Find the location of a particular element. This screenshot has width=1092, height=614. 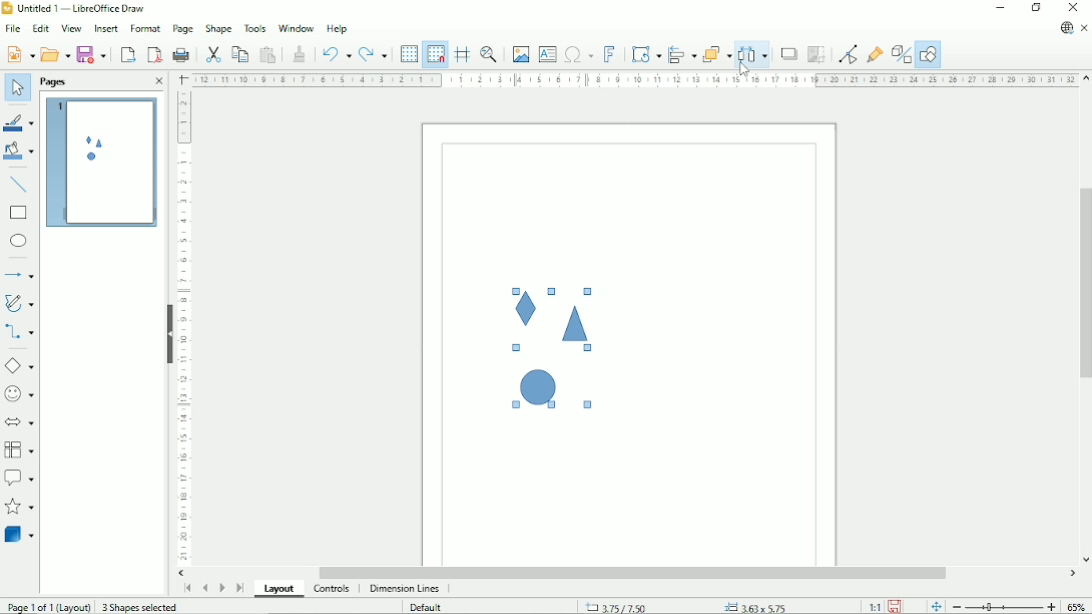

Redo is located at coordinates (374, 53).